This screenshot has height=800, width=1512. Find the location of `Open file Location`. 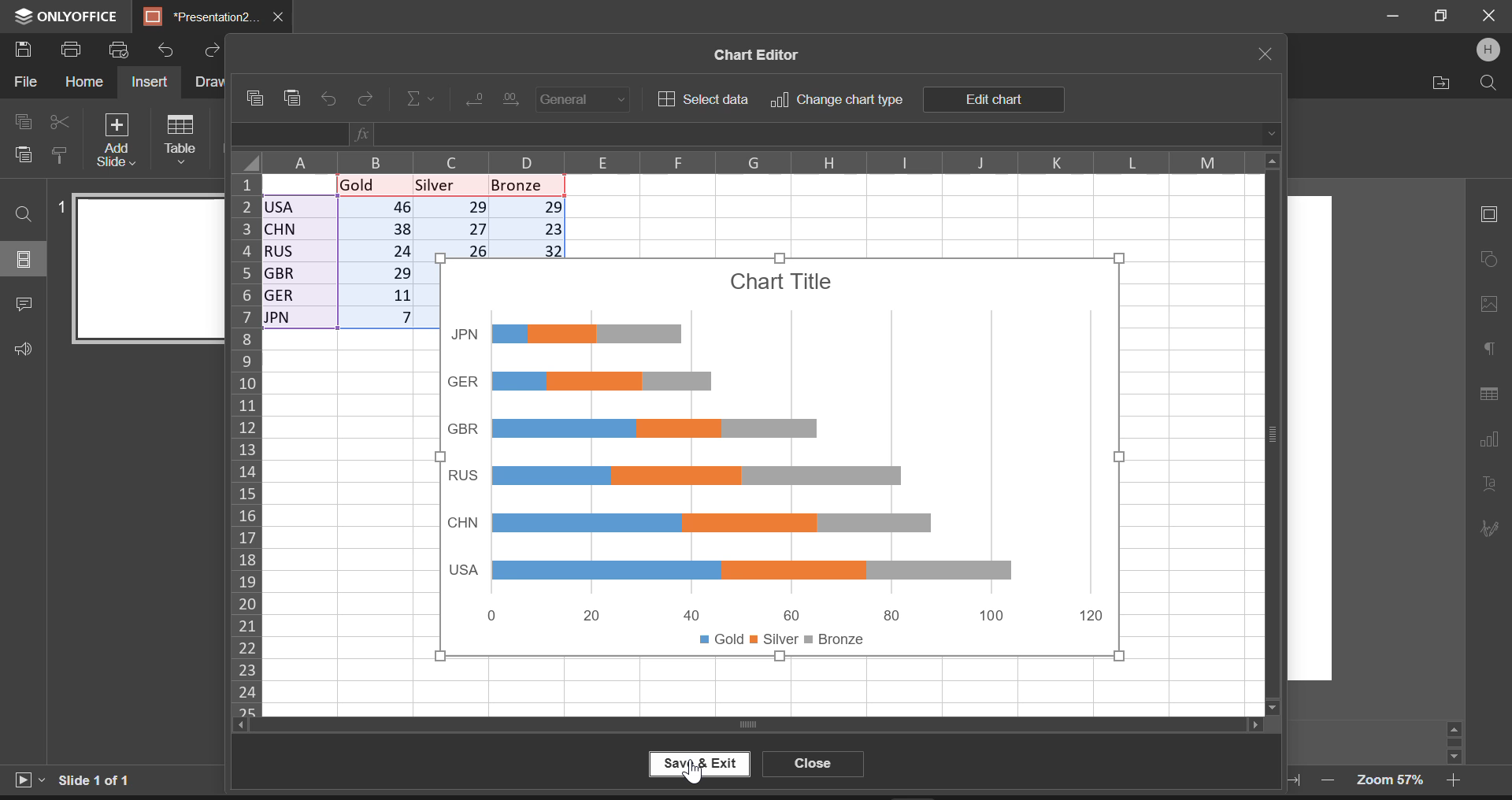

Open file Location is located at coordinates (1442, 83).